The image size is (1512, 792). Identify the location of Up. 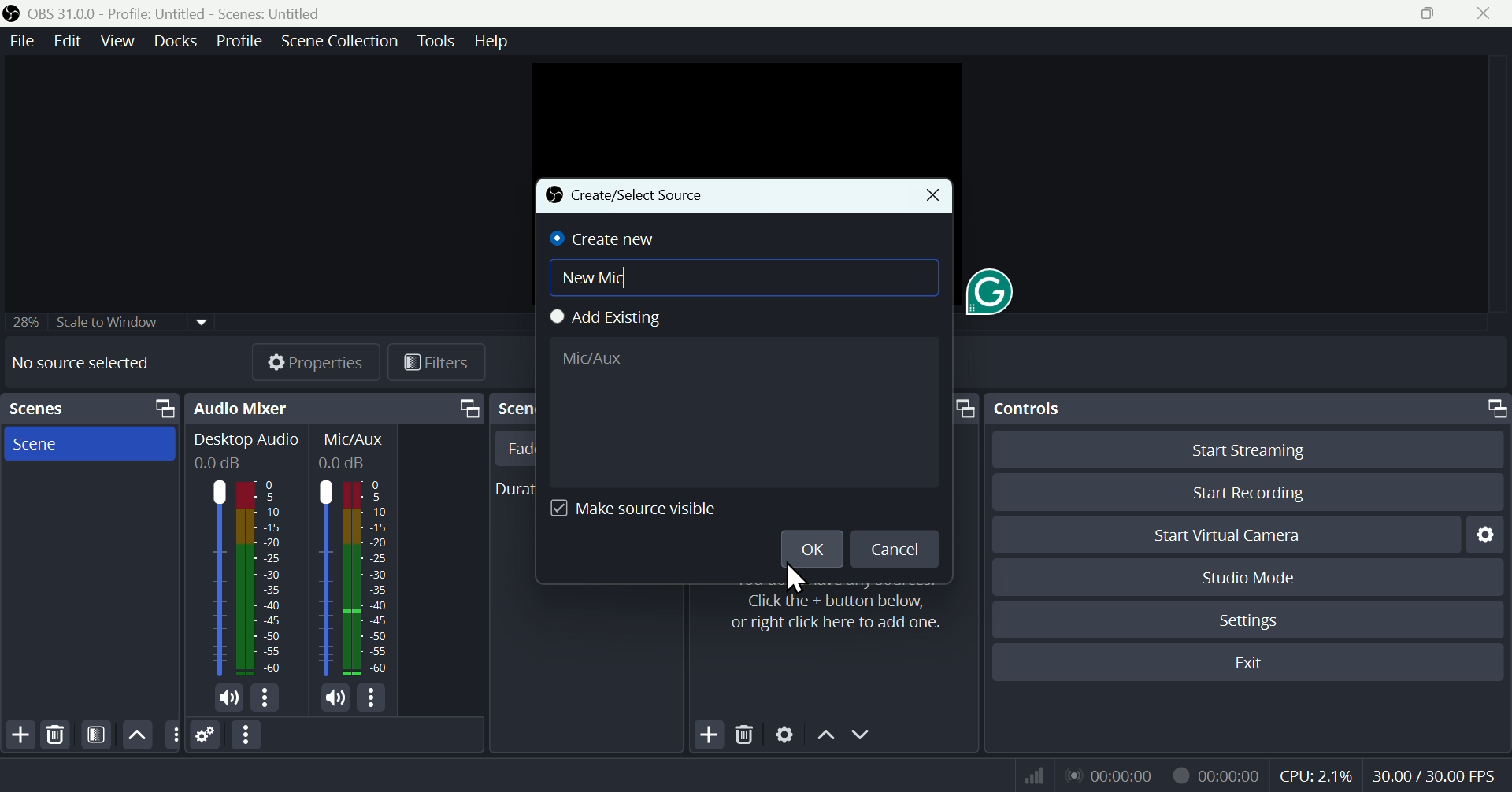
(825, 738).